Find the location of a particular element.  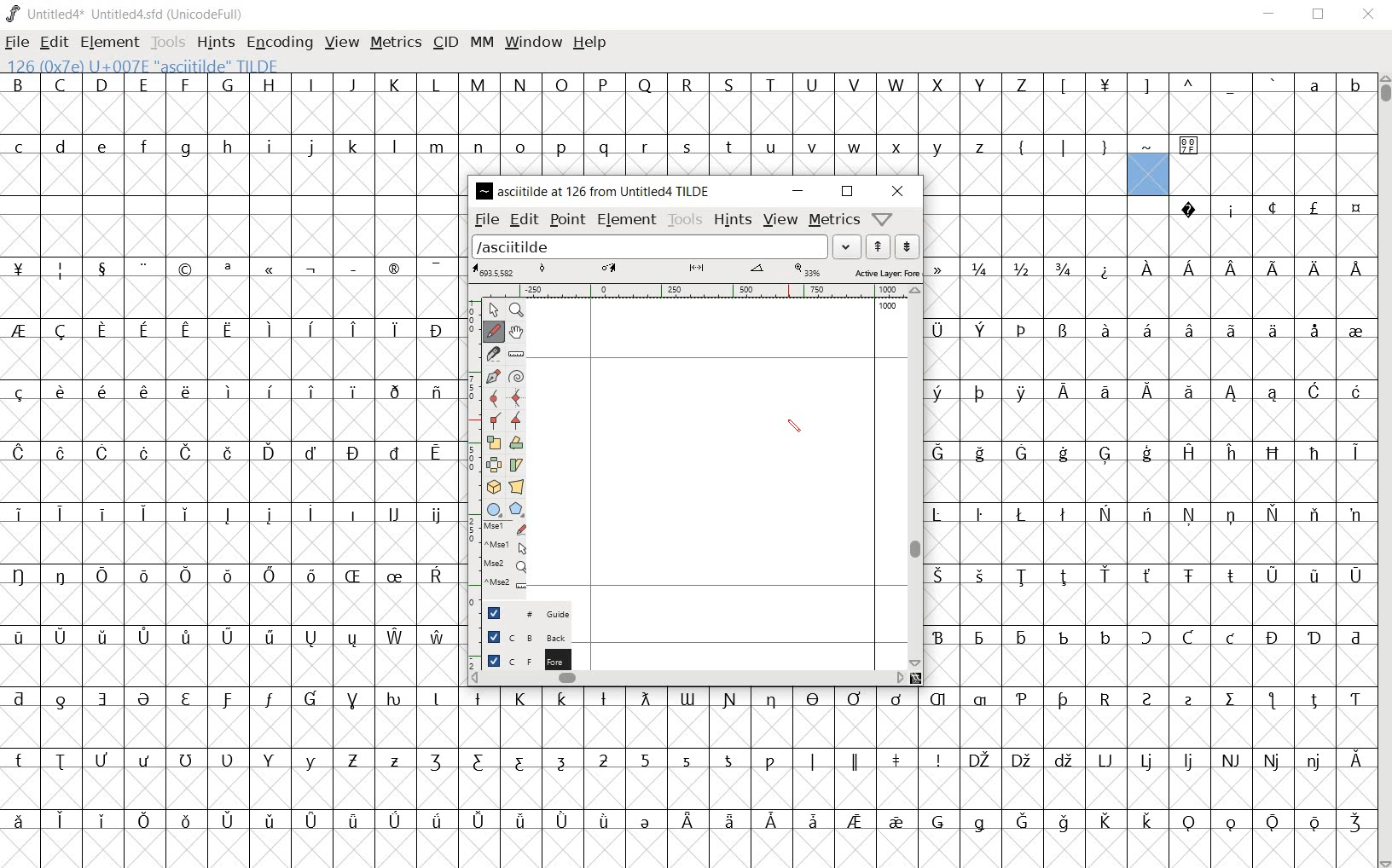

ASCIITILDE AT 126 FROM UNTITLED4 TILDE is located at coordinates (595, 189).